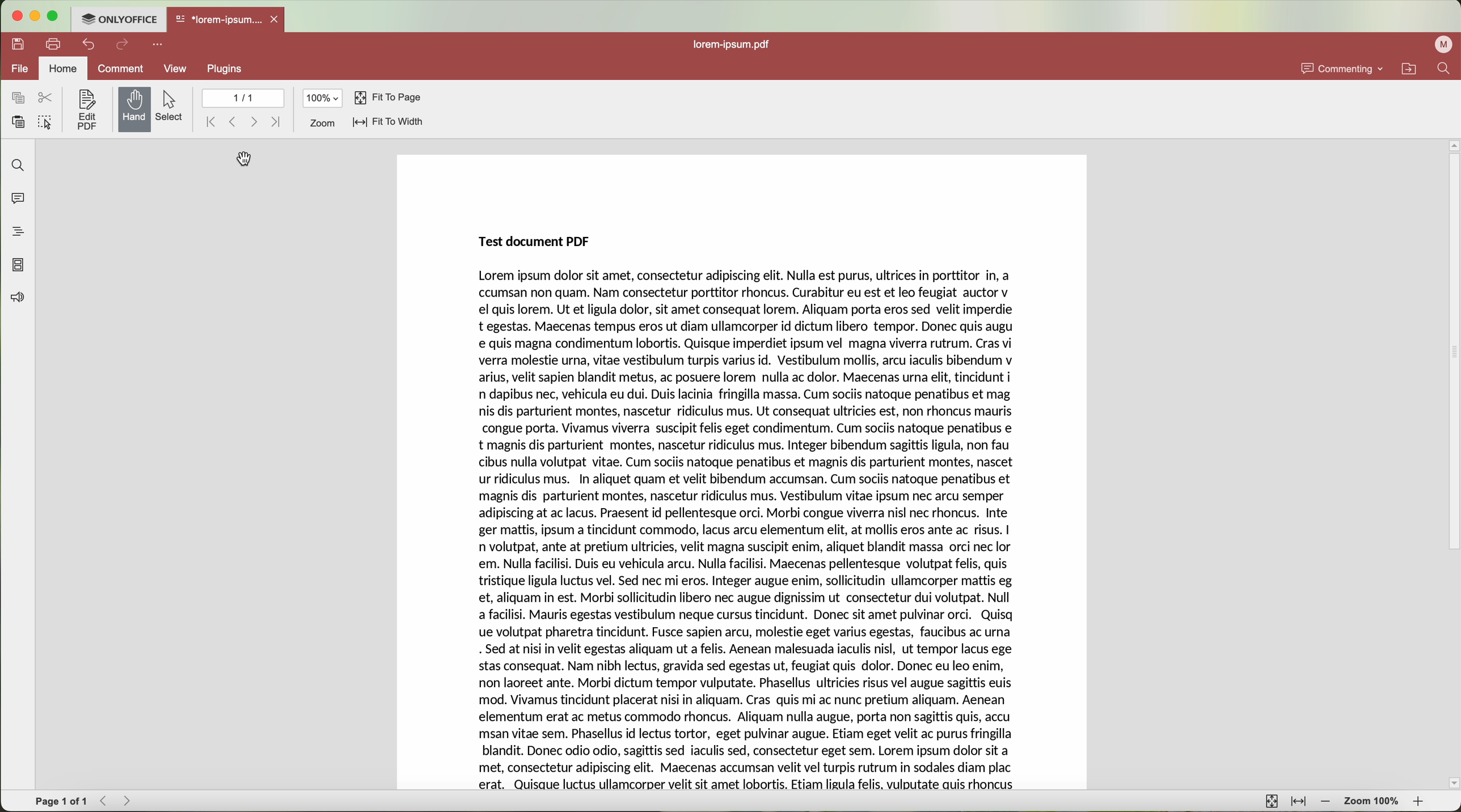 The width and height of the screenshot is (1461, 812). Describe the element at coordinates (128, 801) in the screenshot. I see `Forward` at that location.